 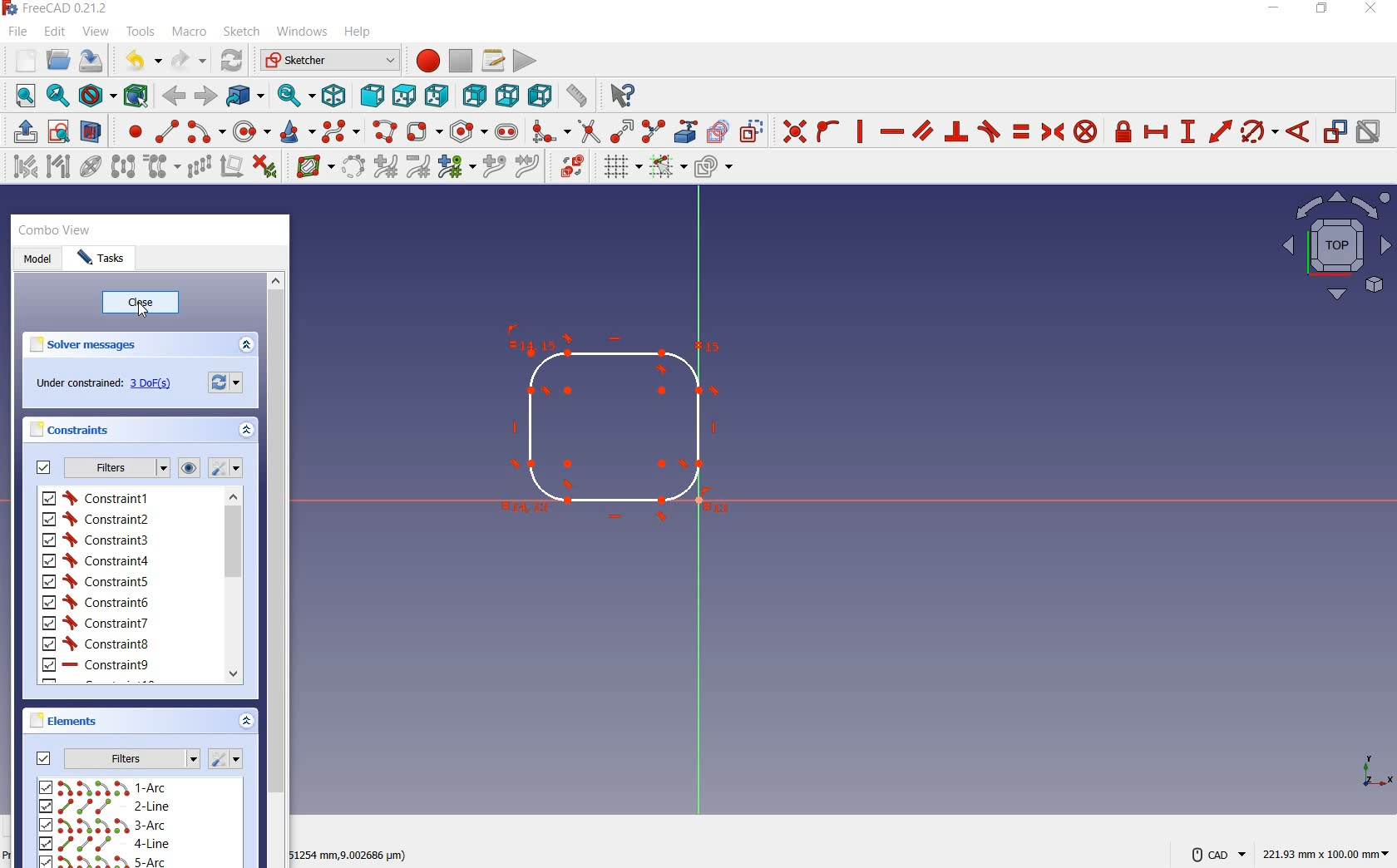 I want to click on tools, so click(x=143, y=33).